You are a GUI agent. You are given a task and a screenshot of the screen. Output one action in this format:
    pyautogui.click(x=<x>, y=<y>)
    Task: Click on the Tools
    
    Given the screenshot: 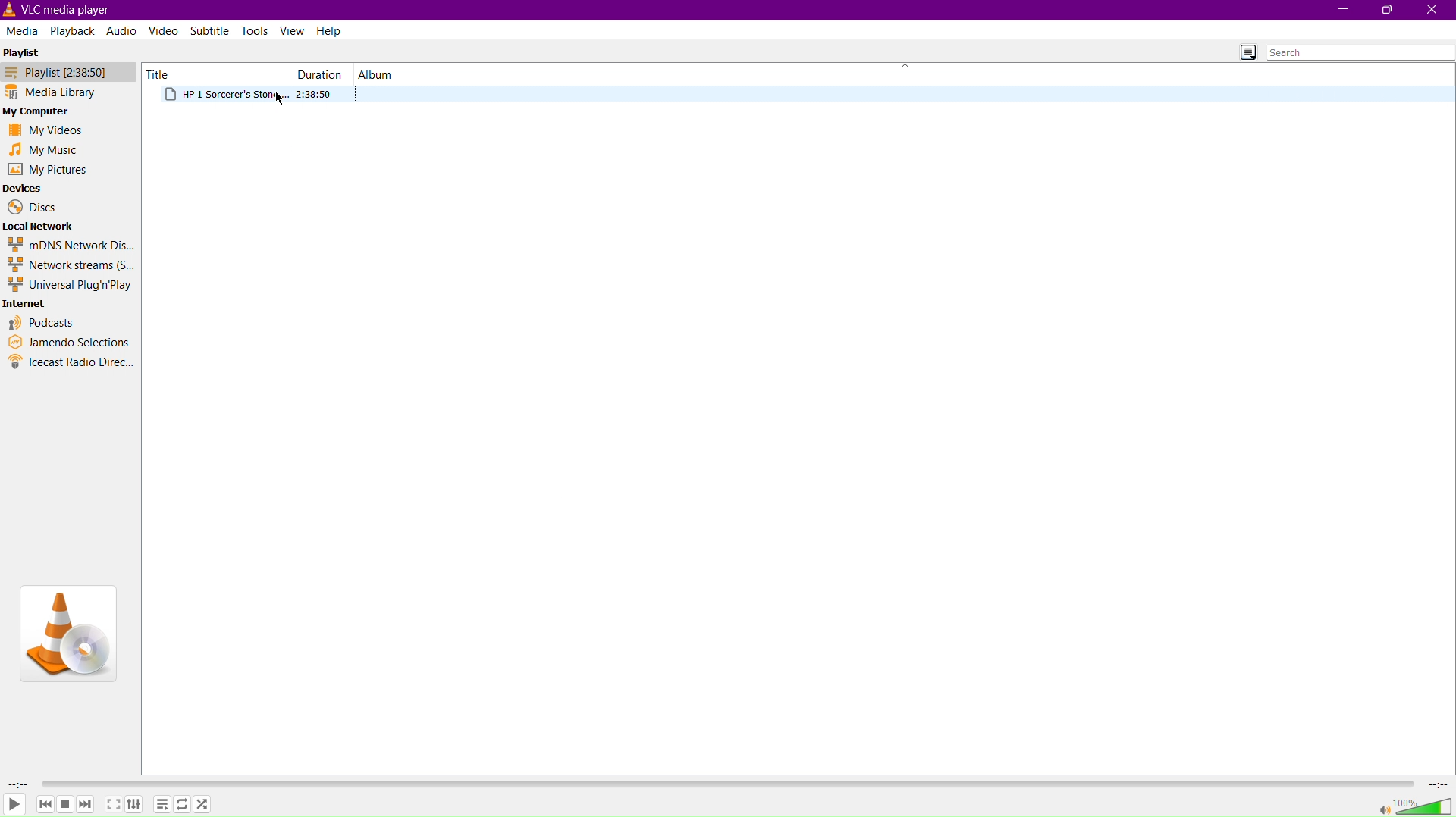 What is the action you would take?
    pyautogui.click(x=257, y=30)
    